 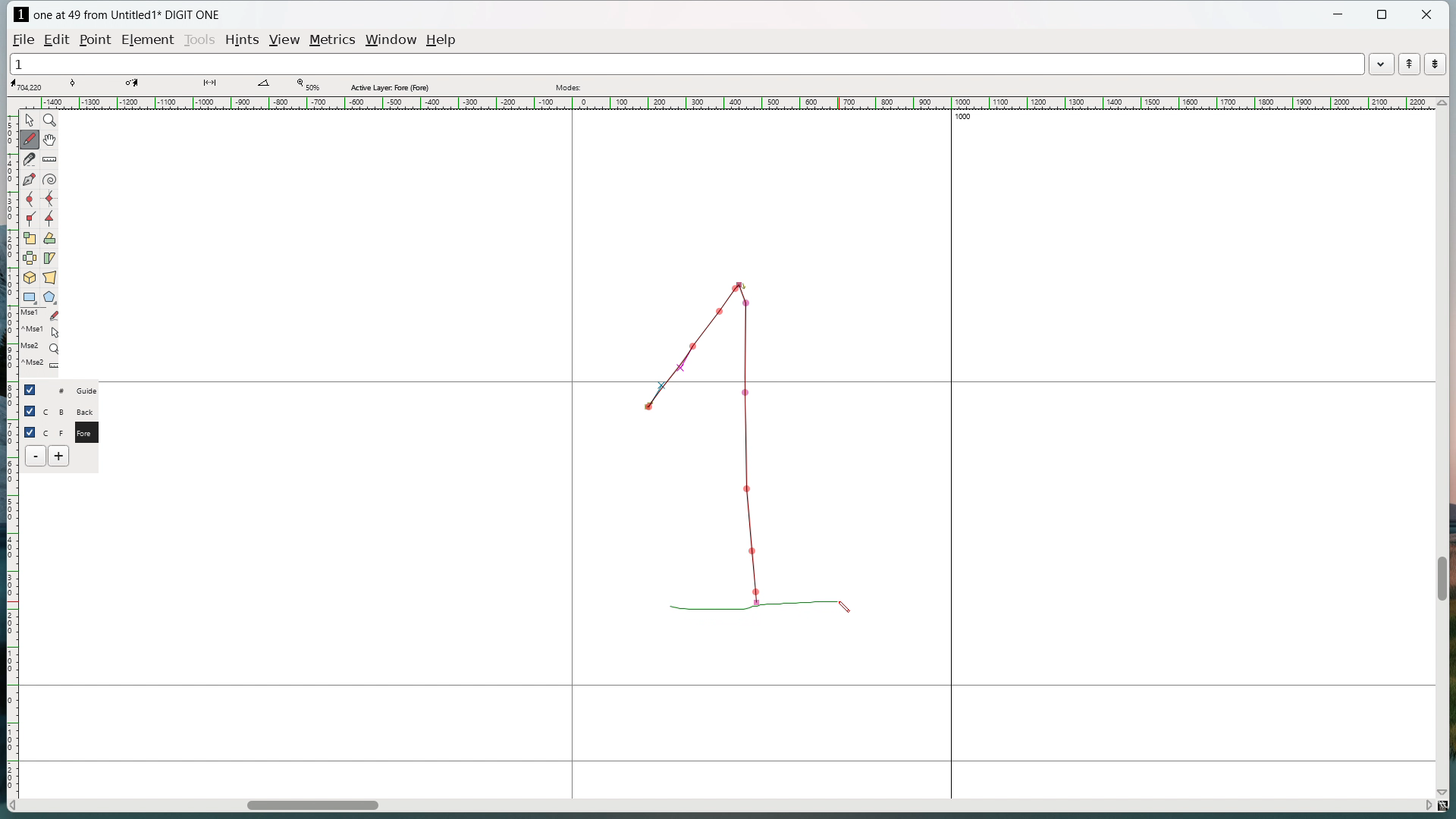 I want to click on show the previous word in the word list, so click(x=1409, y=64).